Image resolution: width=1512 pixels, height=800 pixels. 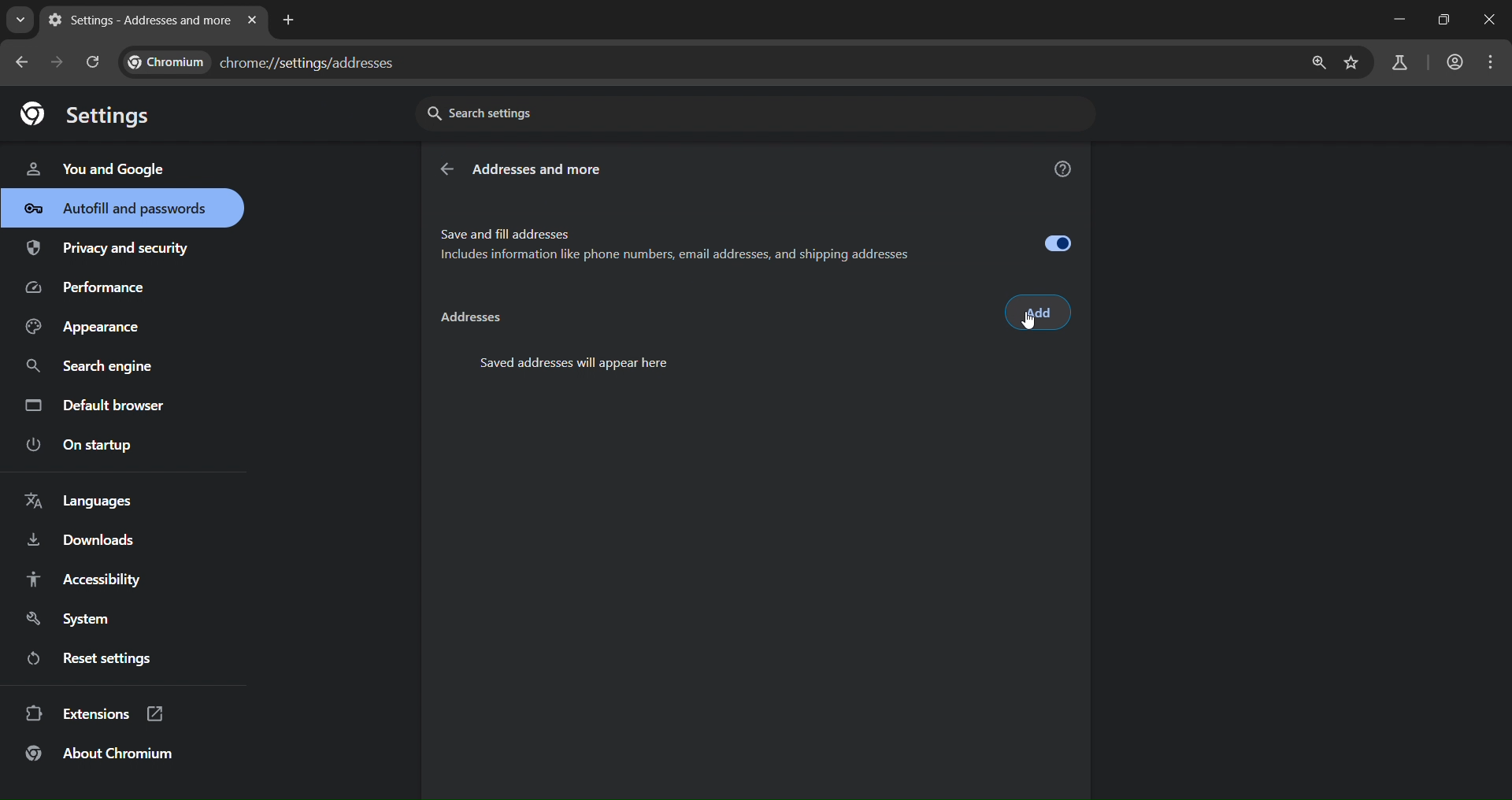 What do you see at coordinates (252, 21) in the screenshot?
I see `close tab` at bounding box center [252, 21].